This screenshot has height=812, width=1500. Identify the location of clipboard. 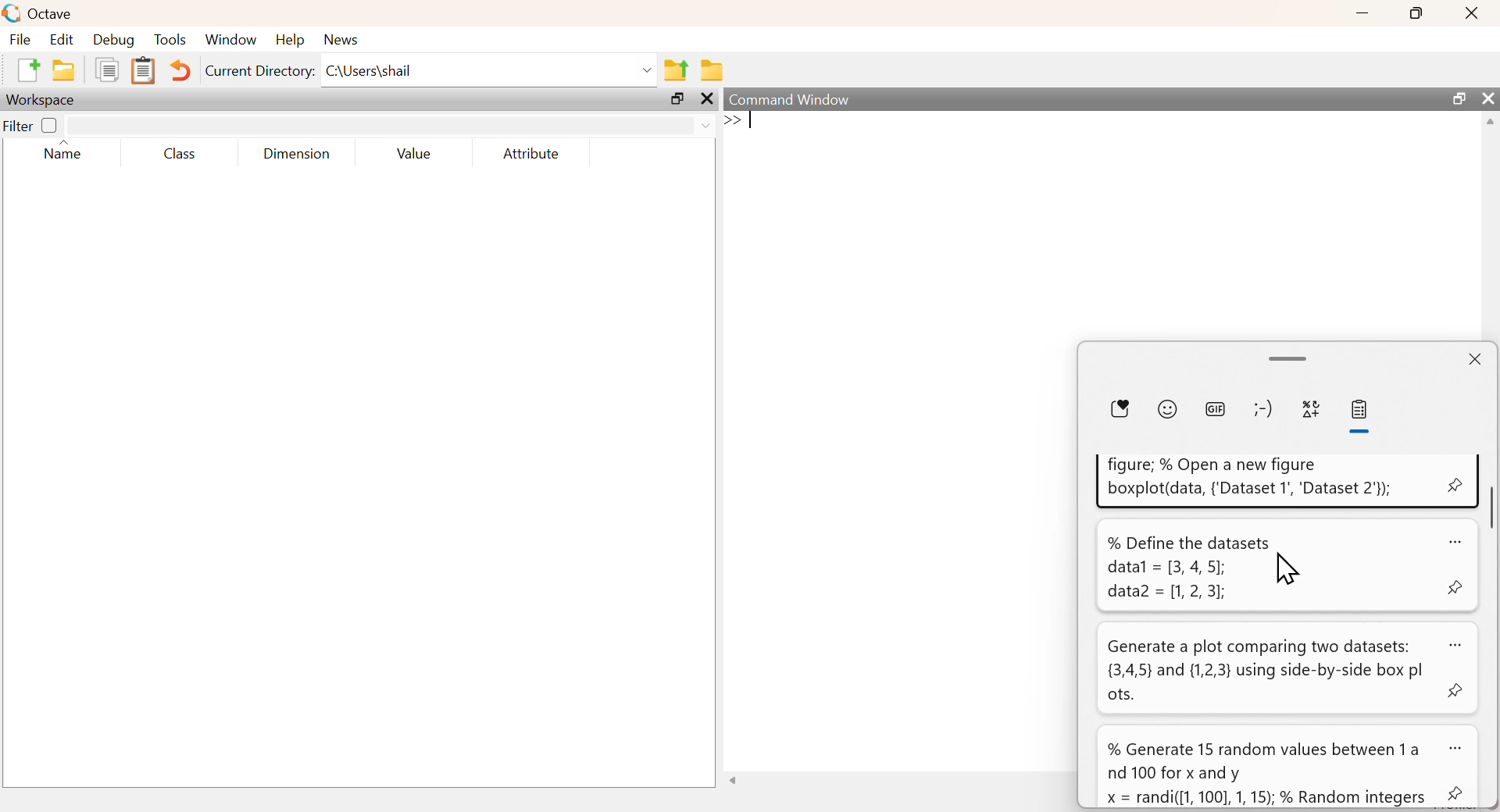
(1362, 411).